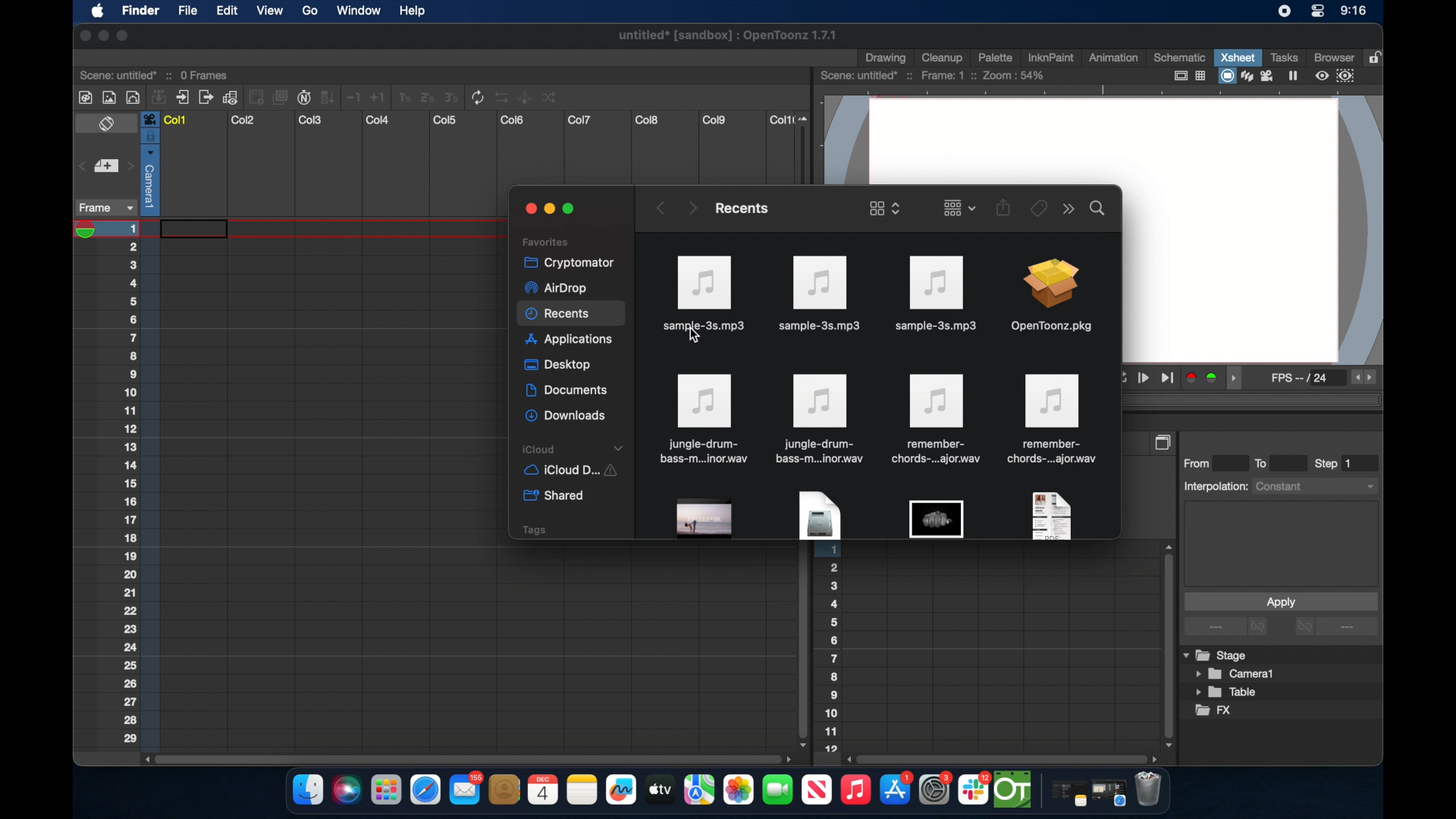 This screenshot has width=1456, height=819. What do you see at coordinates (570, 341) in the screenshot?
I see `applications` at bounding box center [570, 341].